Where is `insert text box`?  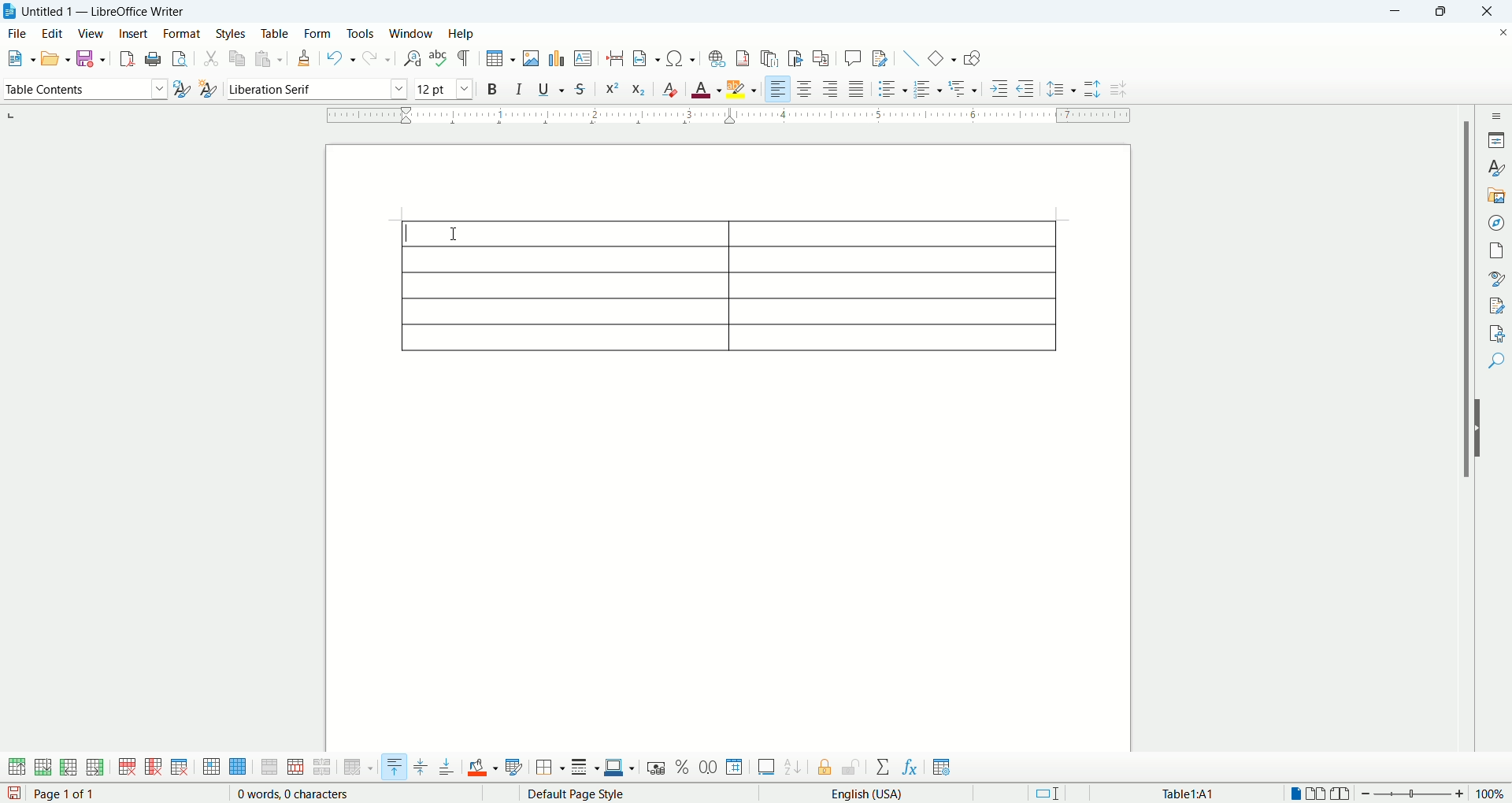
insert text box is located at coordinates (584, 57).